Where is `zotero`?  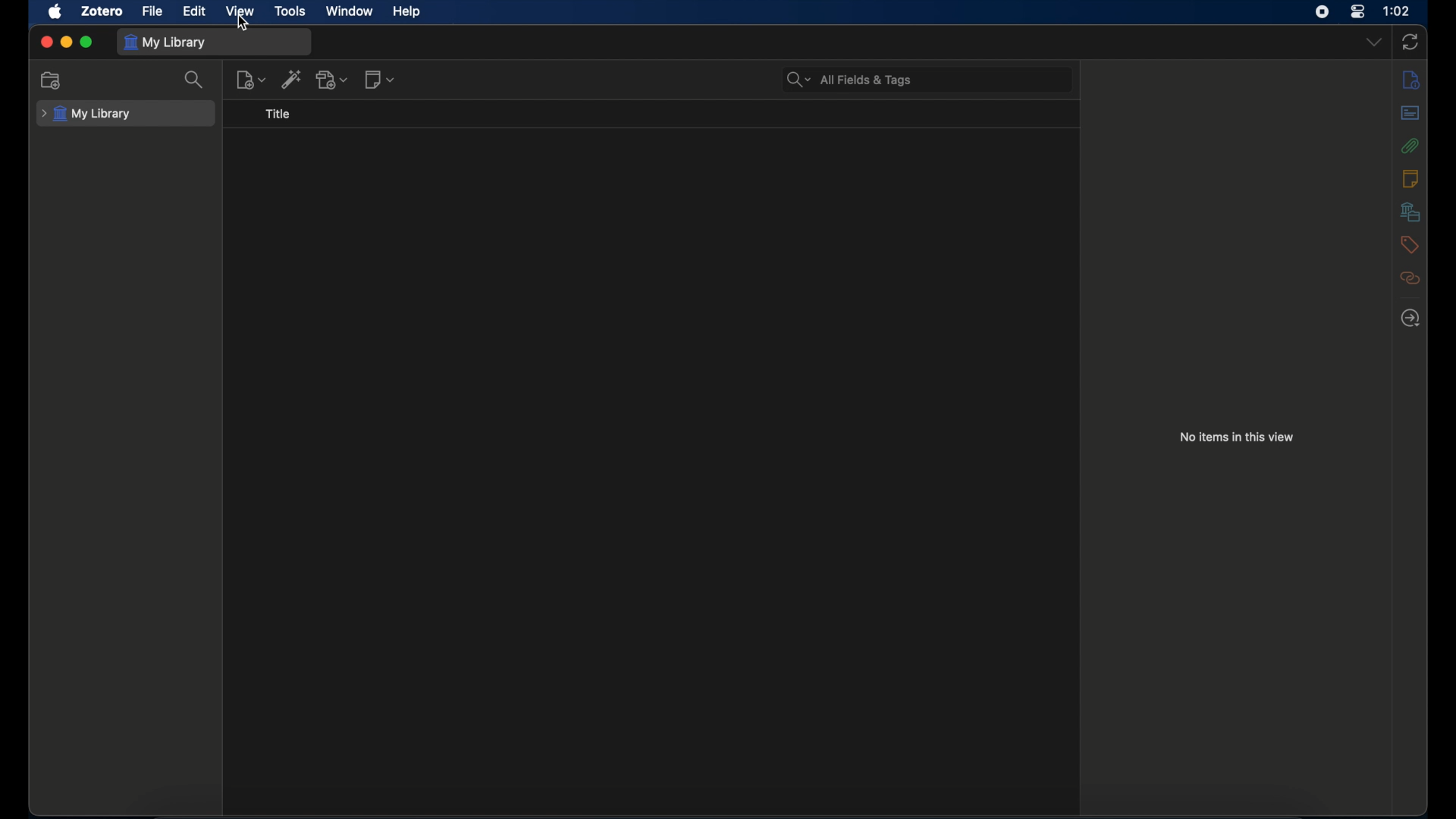
zotero is located at coordinates (102, 12).